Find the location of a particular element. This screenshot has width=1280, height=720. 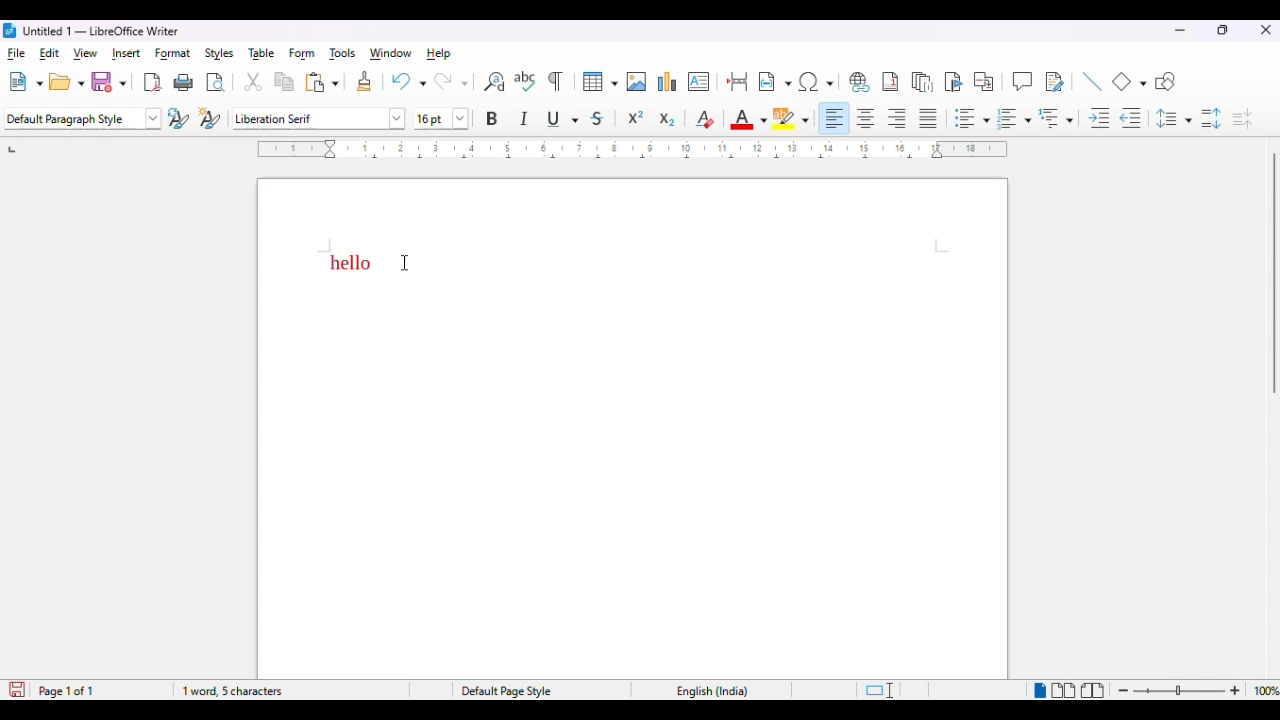

toggle print preview is located at coordinates (216, 84).